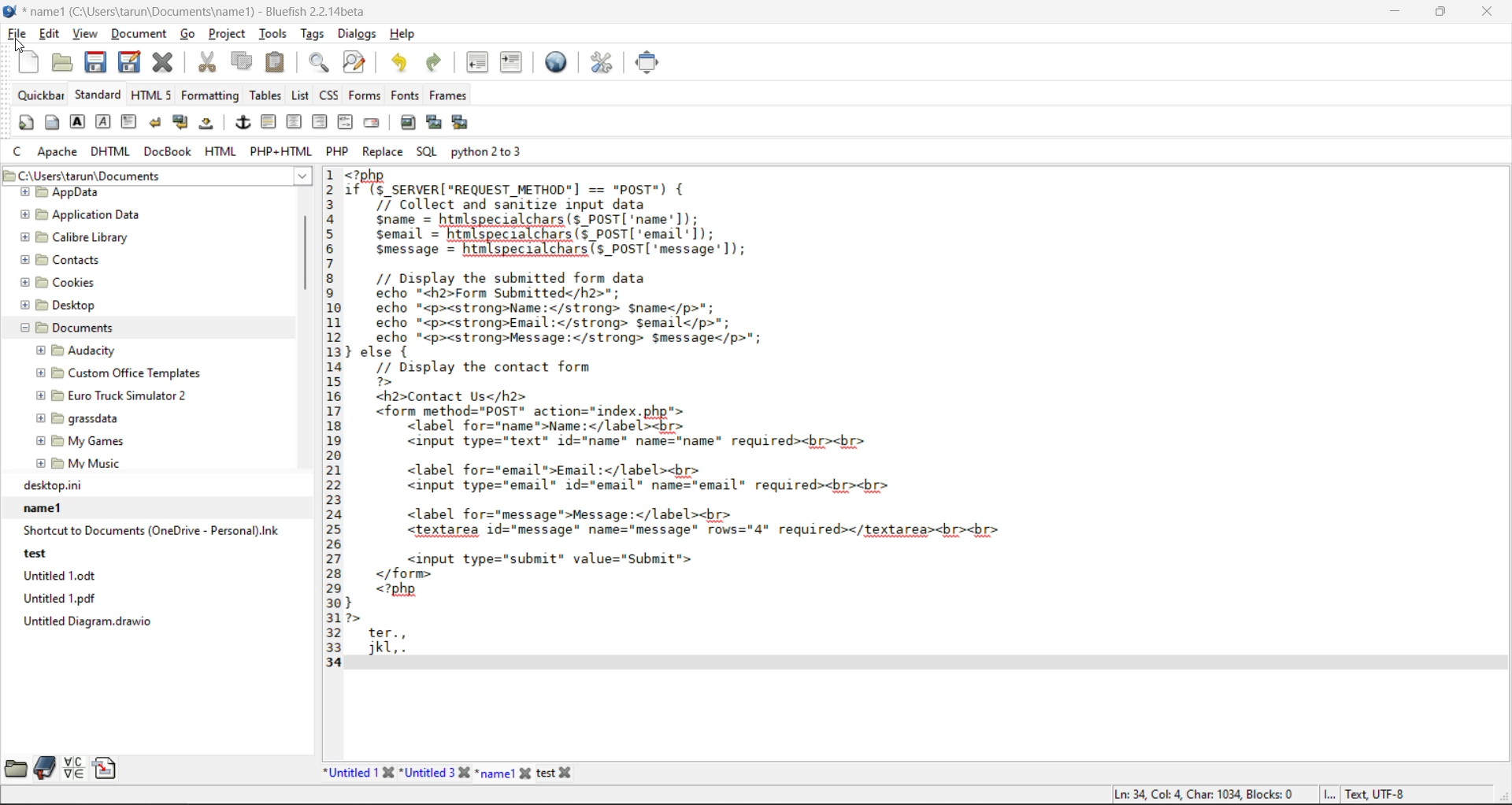 The height and width of the screenshot is (805, 1512). Describe the element at coordinates (79, 122) in the screenshot. I see `strong` at that location.